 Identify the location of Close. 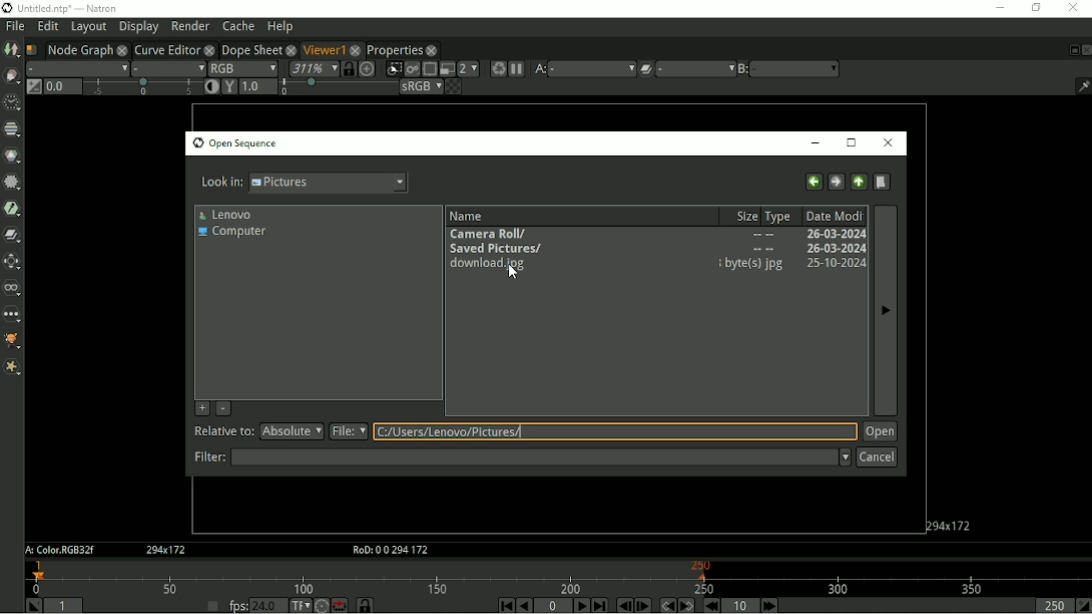
(885, 142).